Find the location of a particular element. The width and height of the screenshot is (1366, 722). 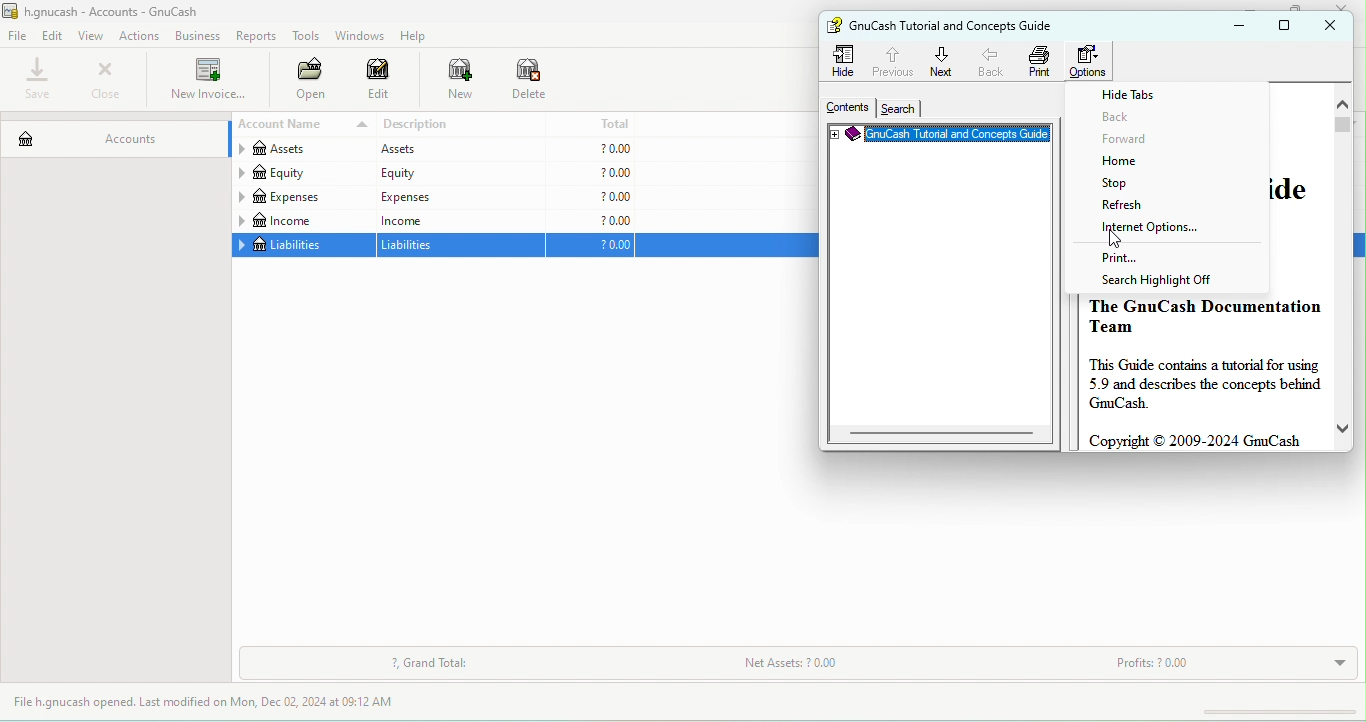

file is located at coordinates (18, 37).